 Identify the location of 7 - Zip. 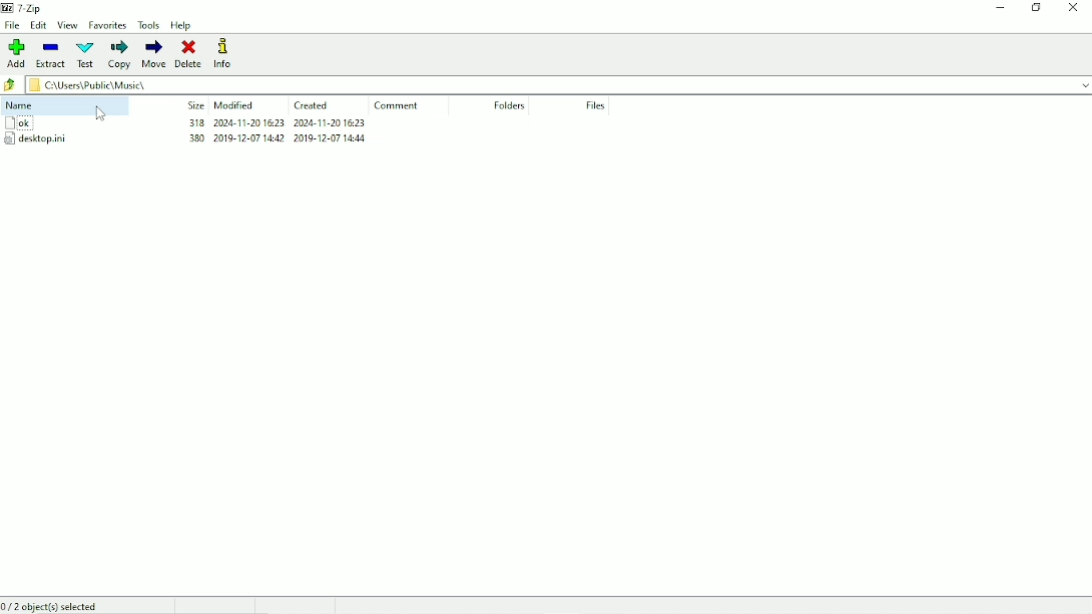
(24, 8).